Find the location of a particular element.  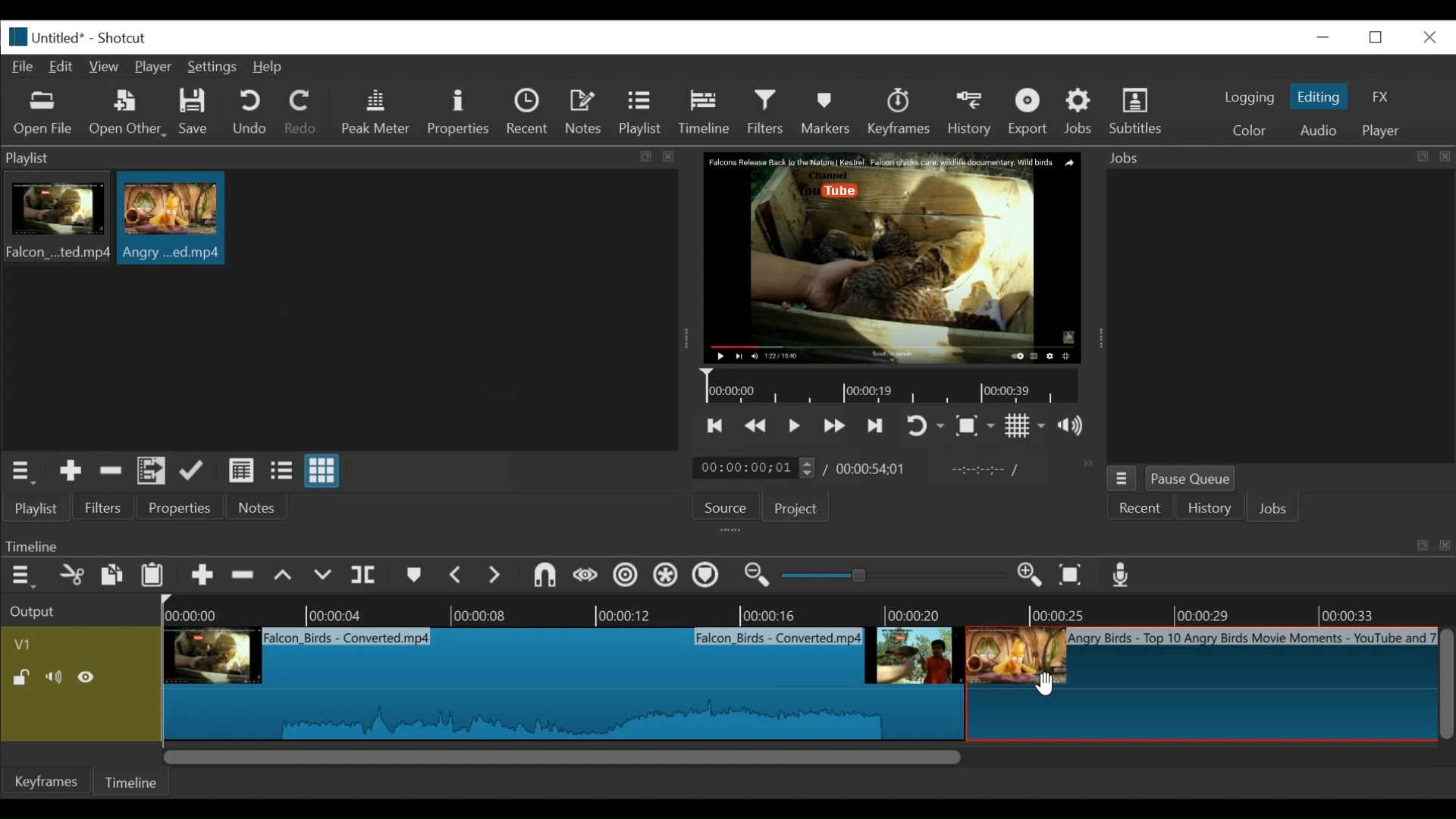

Add files to playlist is located at coordinates (152, 473).